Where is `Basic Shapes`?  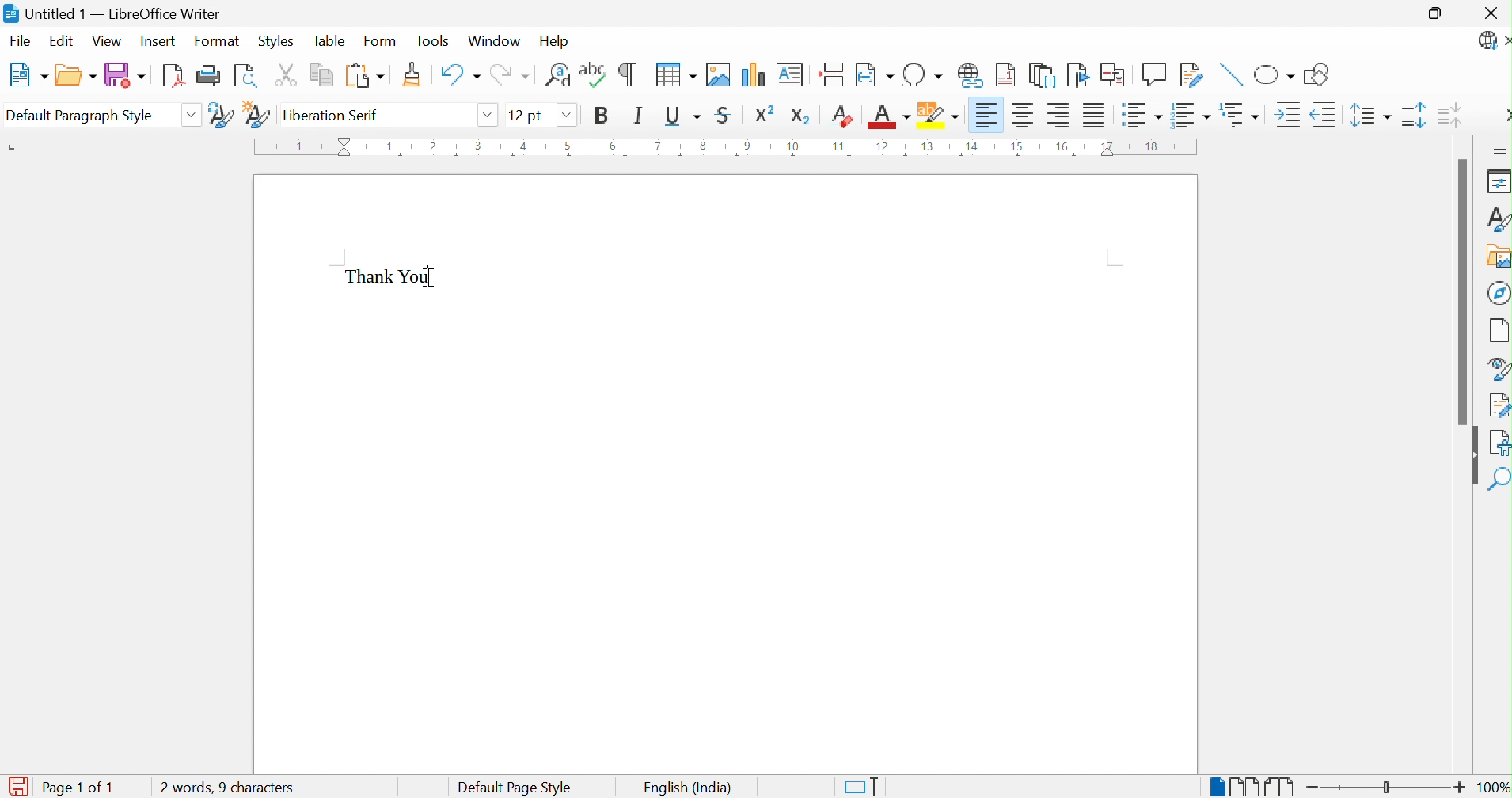 Basic Shapes is located at coordinates (1272, 72).